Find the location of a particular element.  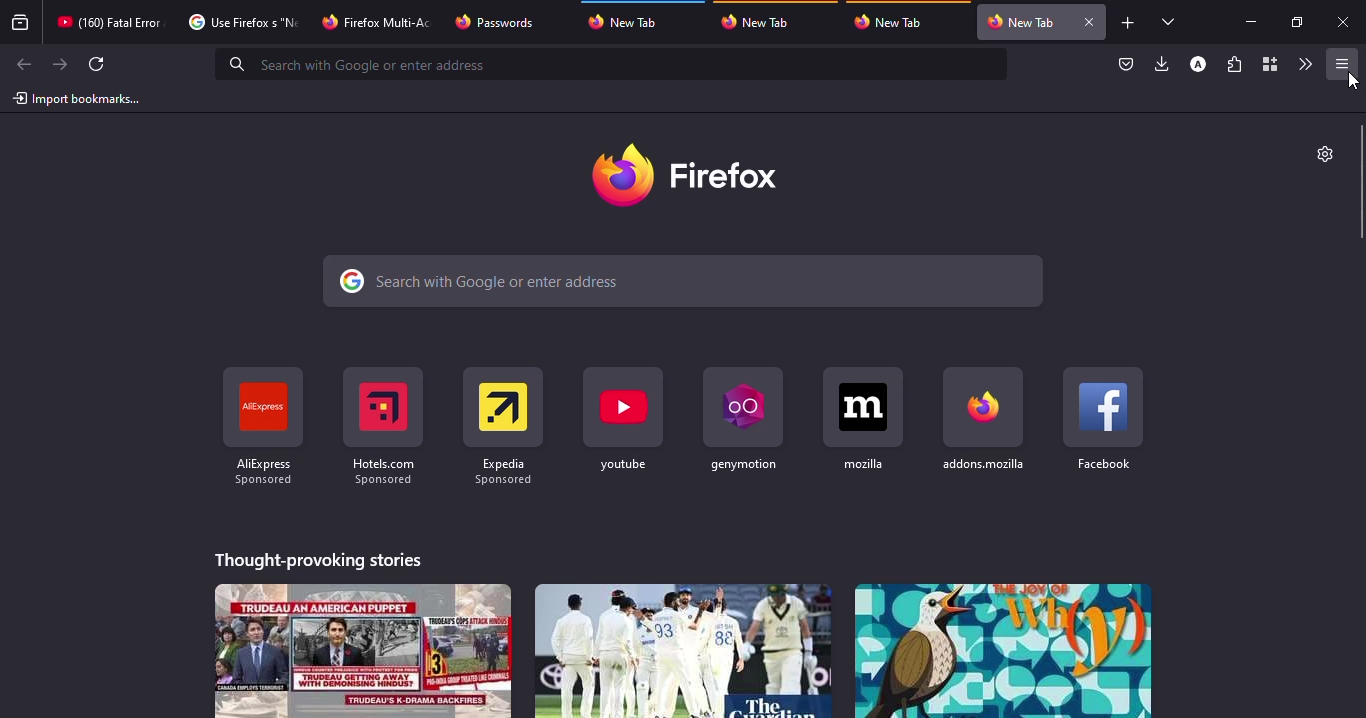

shortcut is located at coordinates (740, 417).